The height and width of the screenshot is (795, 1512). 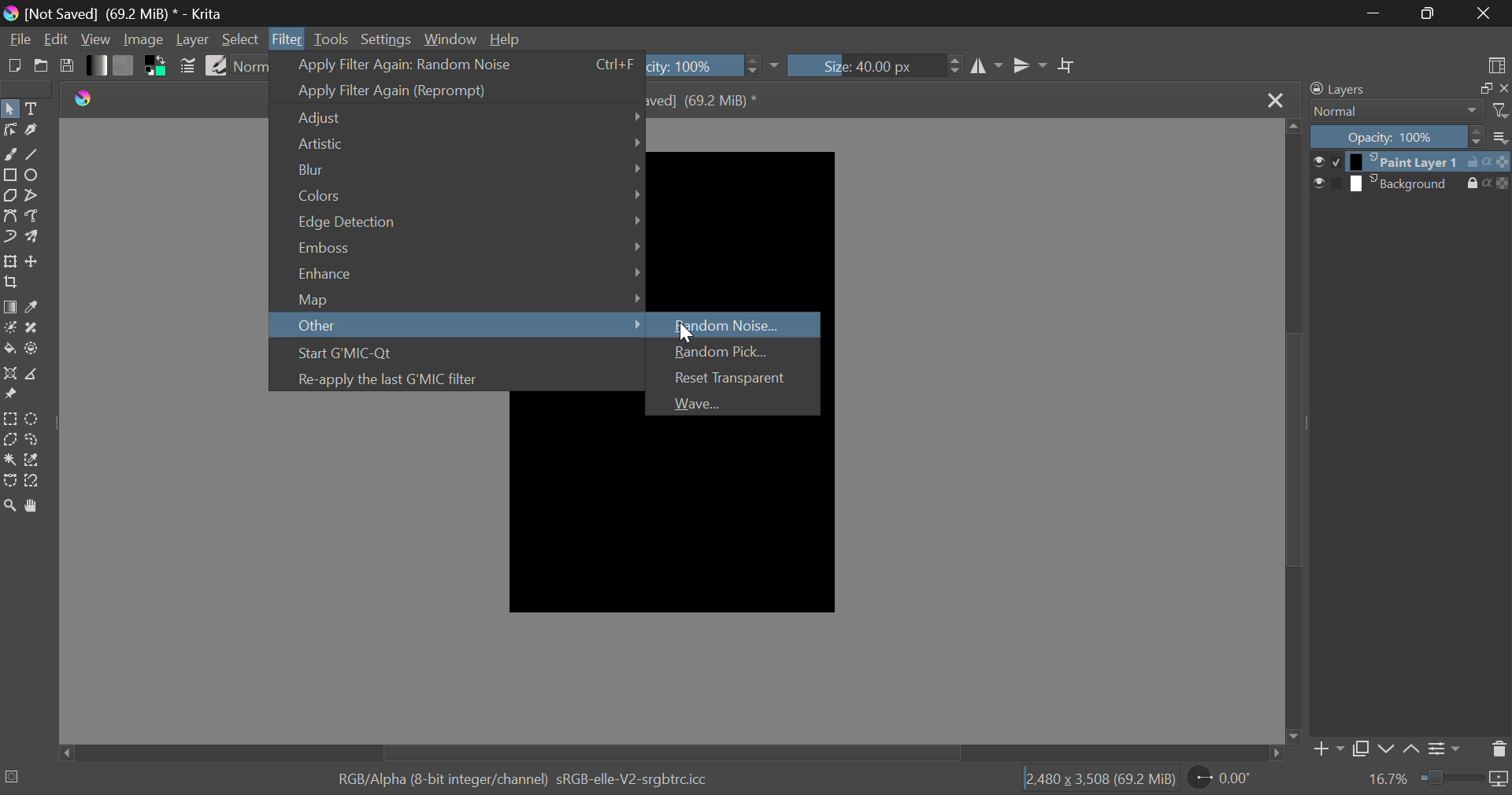 What do you see at coordinates (34, 264) in the screenshot?
I see `Move Layer` at bounding box center [34, 264].